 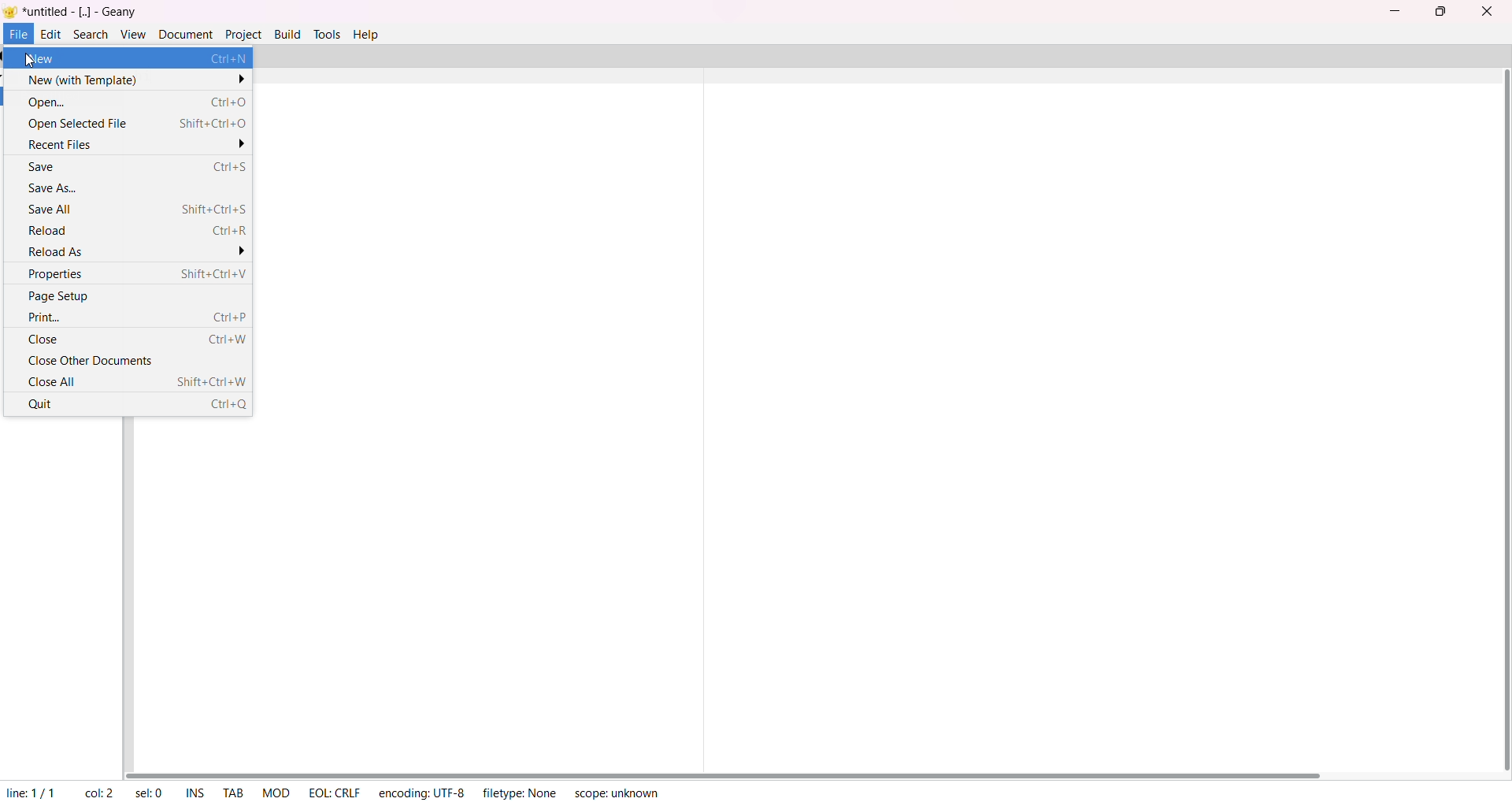 I want to click on save as.., so click(x=68, y=188).